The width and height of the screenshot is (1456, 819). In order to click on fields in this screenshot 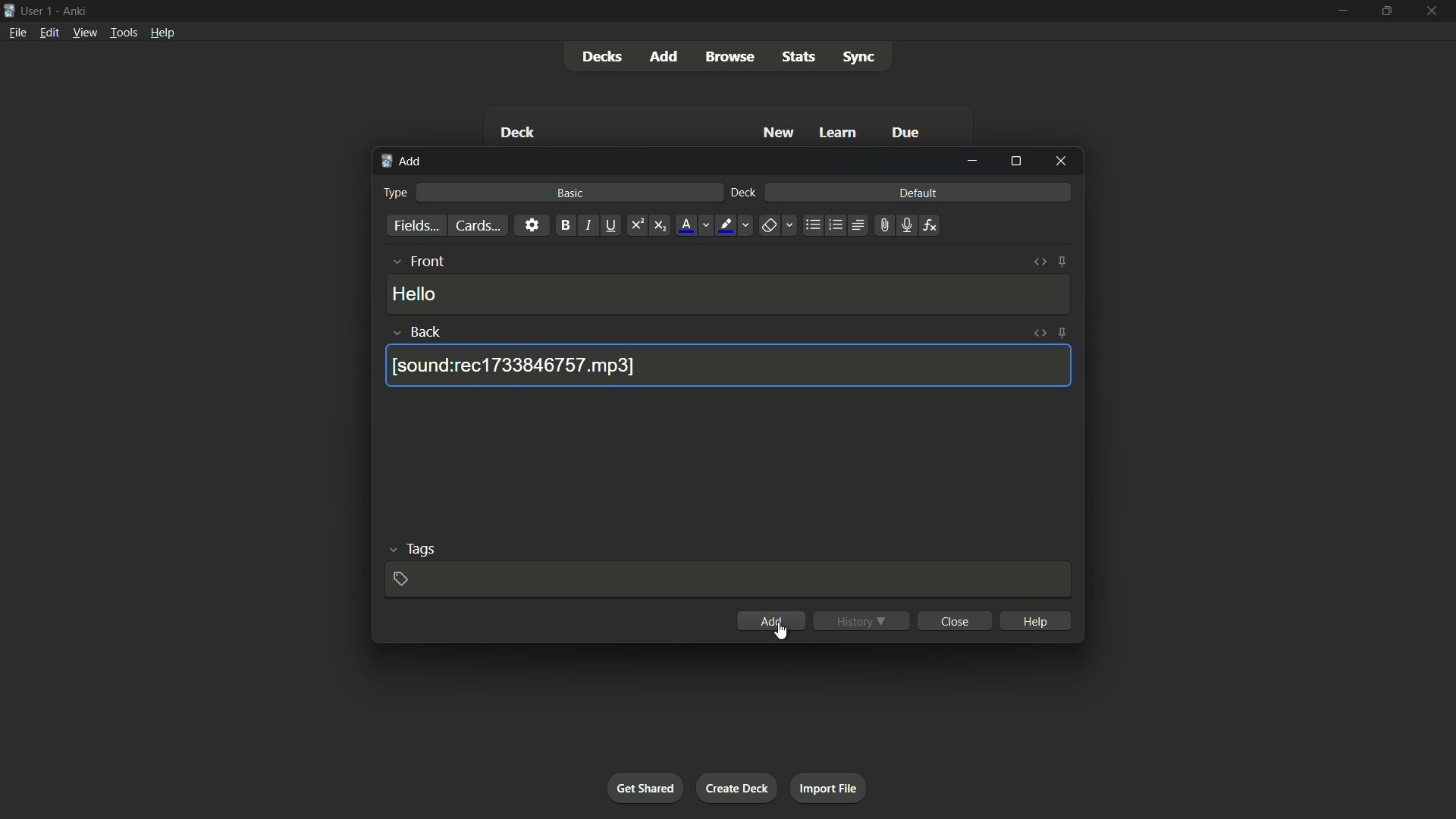, I will do `click(416, 224)`.